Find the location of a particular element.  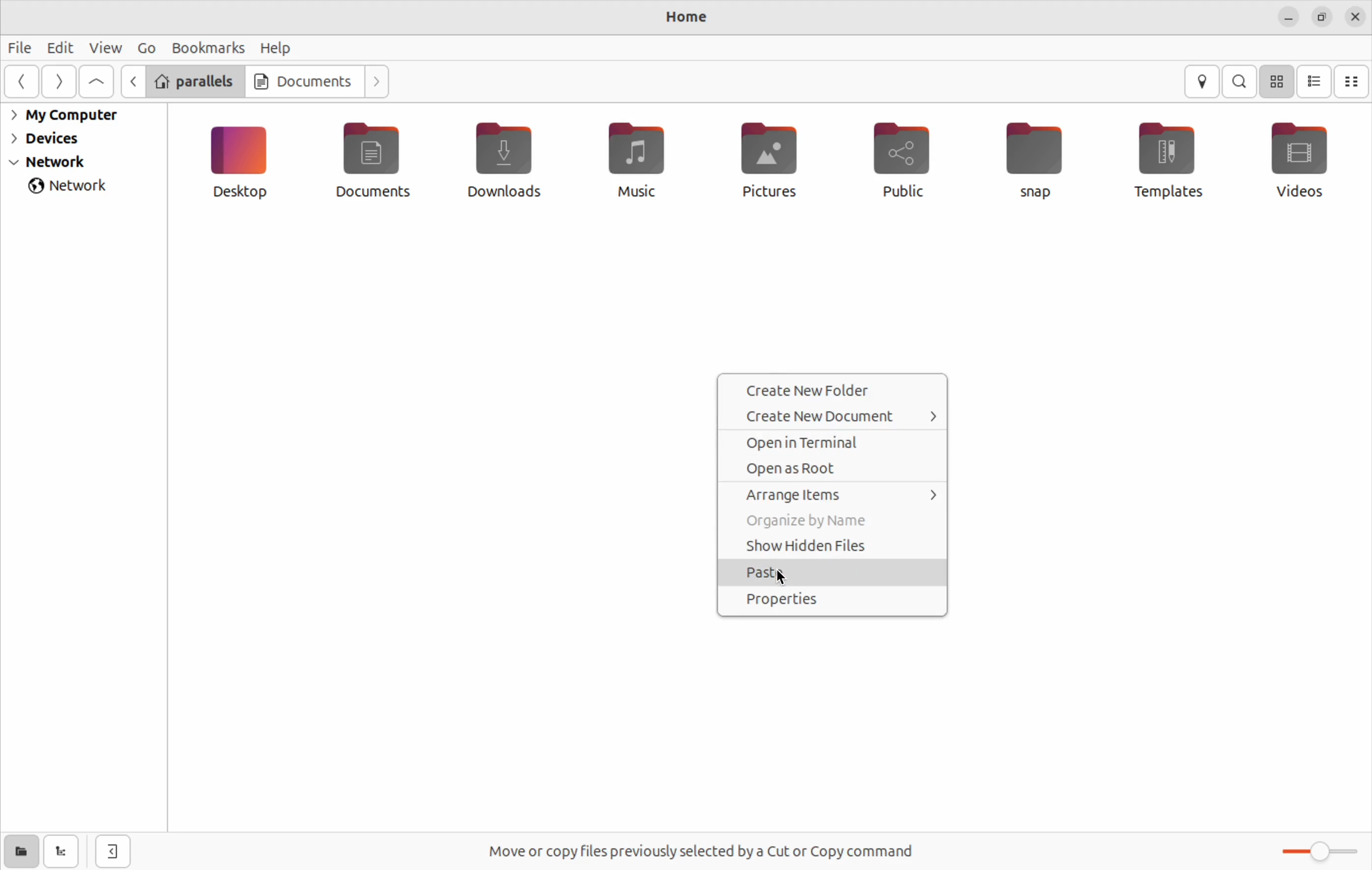

Documents is located at coordinates (376, 165).